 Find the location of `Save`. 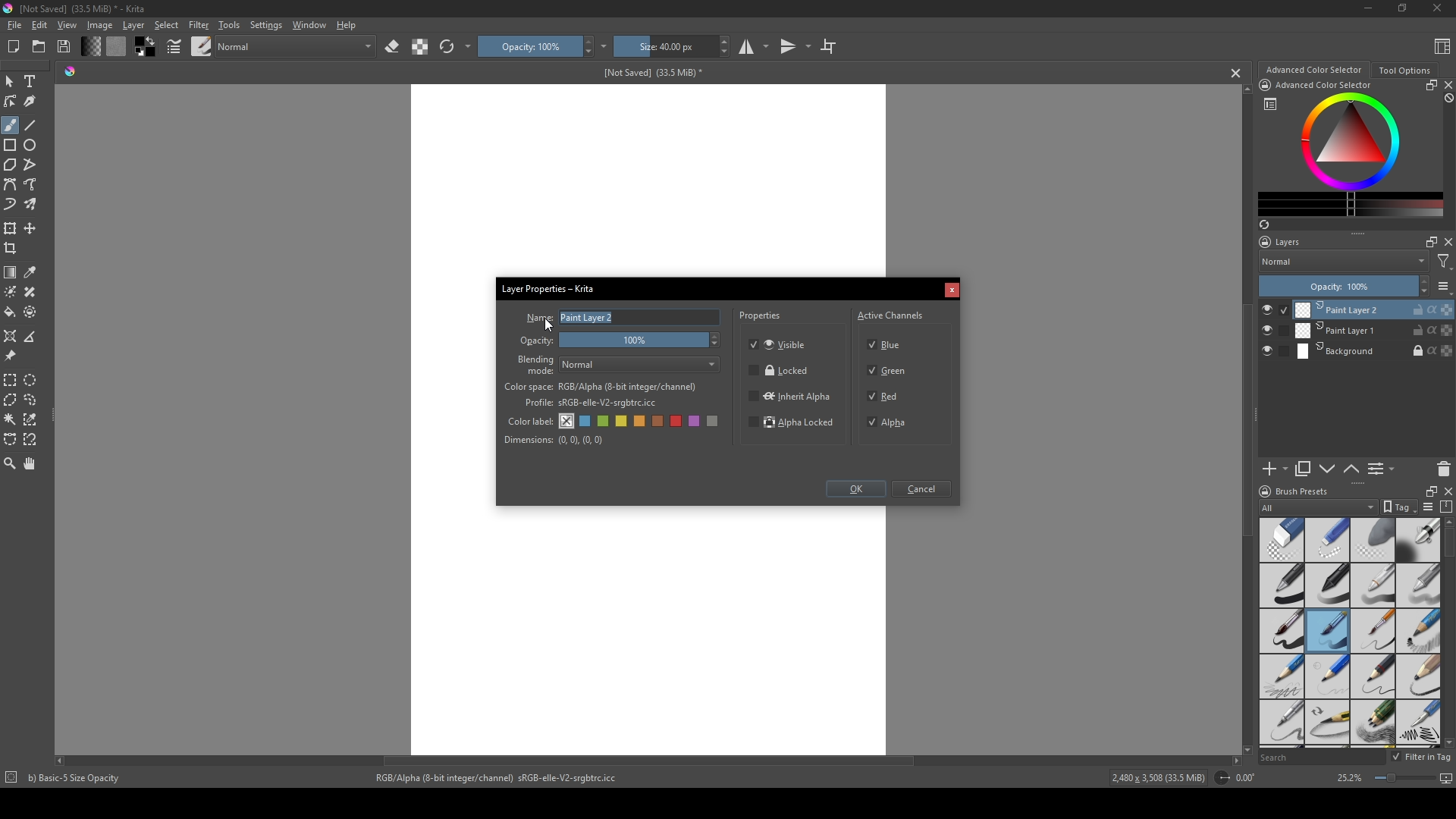

Save is located at coordinates (65, 45).